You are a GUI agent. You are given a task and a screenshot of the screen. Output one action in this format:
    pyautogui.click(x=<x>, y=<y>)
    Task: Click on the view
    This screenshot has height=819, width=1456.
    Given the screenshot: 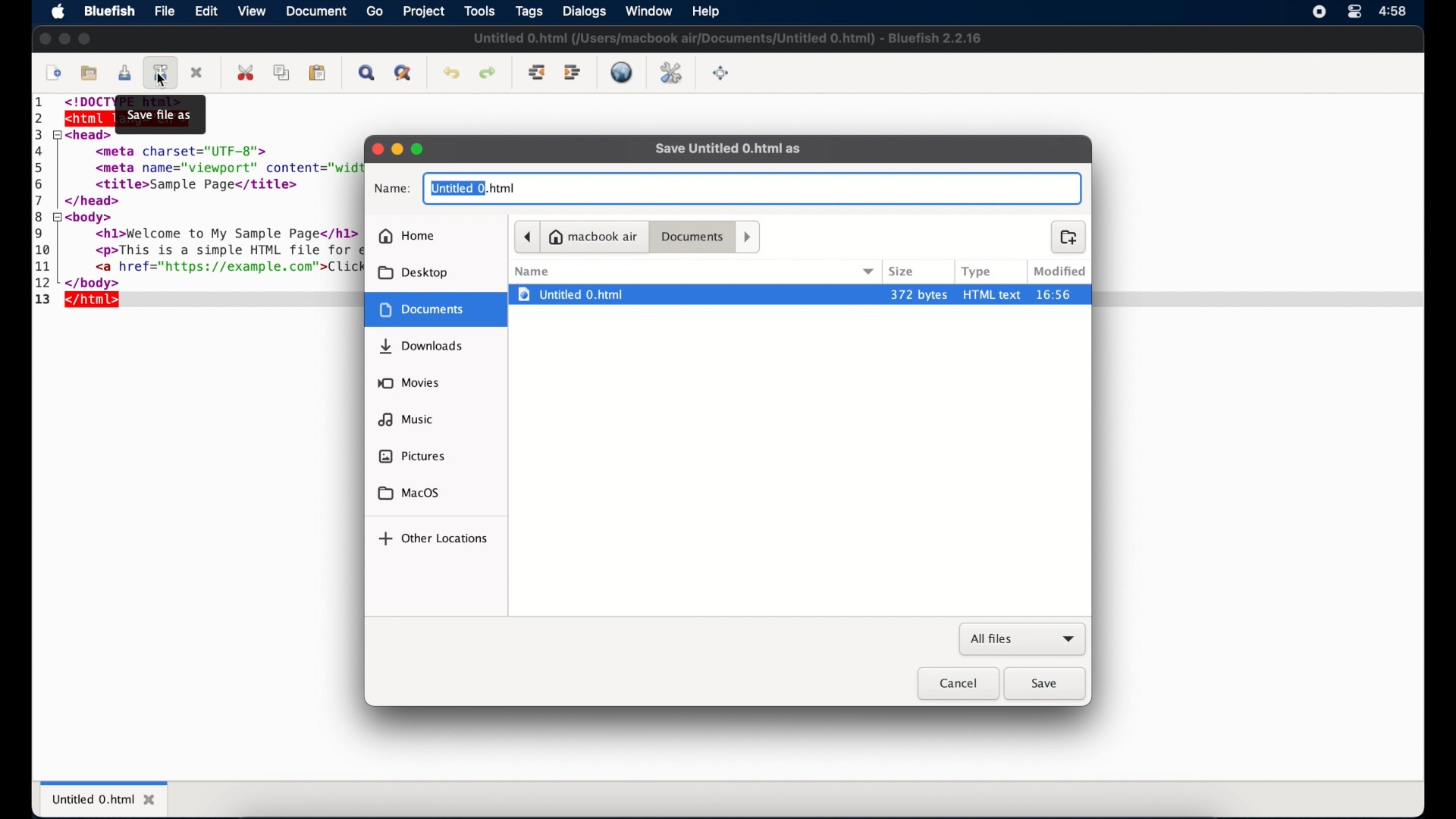 What is the action you would take?
    pyautogui.click(x=253, y=12)
    